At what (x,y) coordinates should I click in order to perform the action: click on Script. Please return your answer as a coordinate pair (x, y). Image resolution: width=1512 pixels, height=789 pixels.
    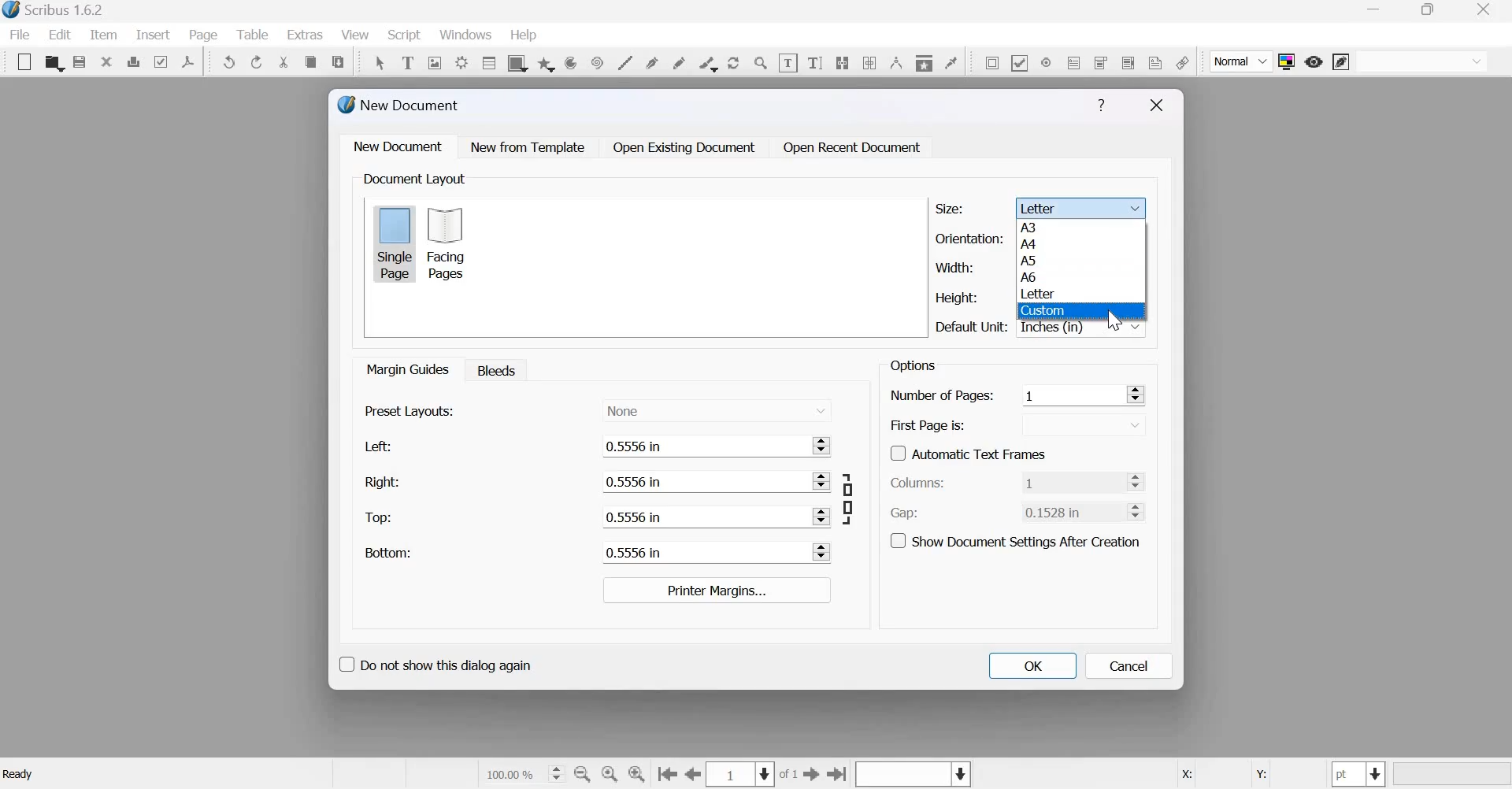
    Looking at the image, I should click on (403, 35).